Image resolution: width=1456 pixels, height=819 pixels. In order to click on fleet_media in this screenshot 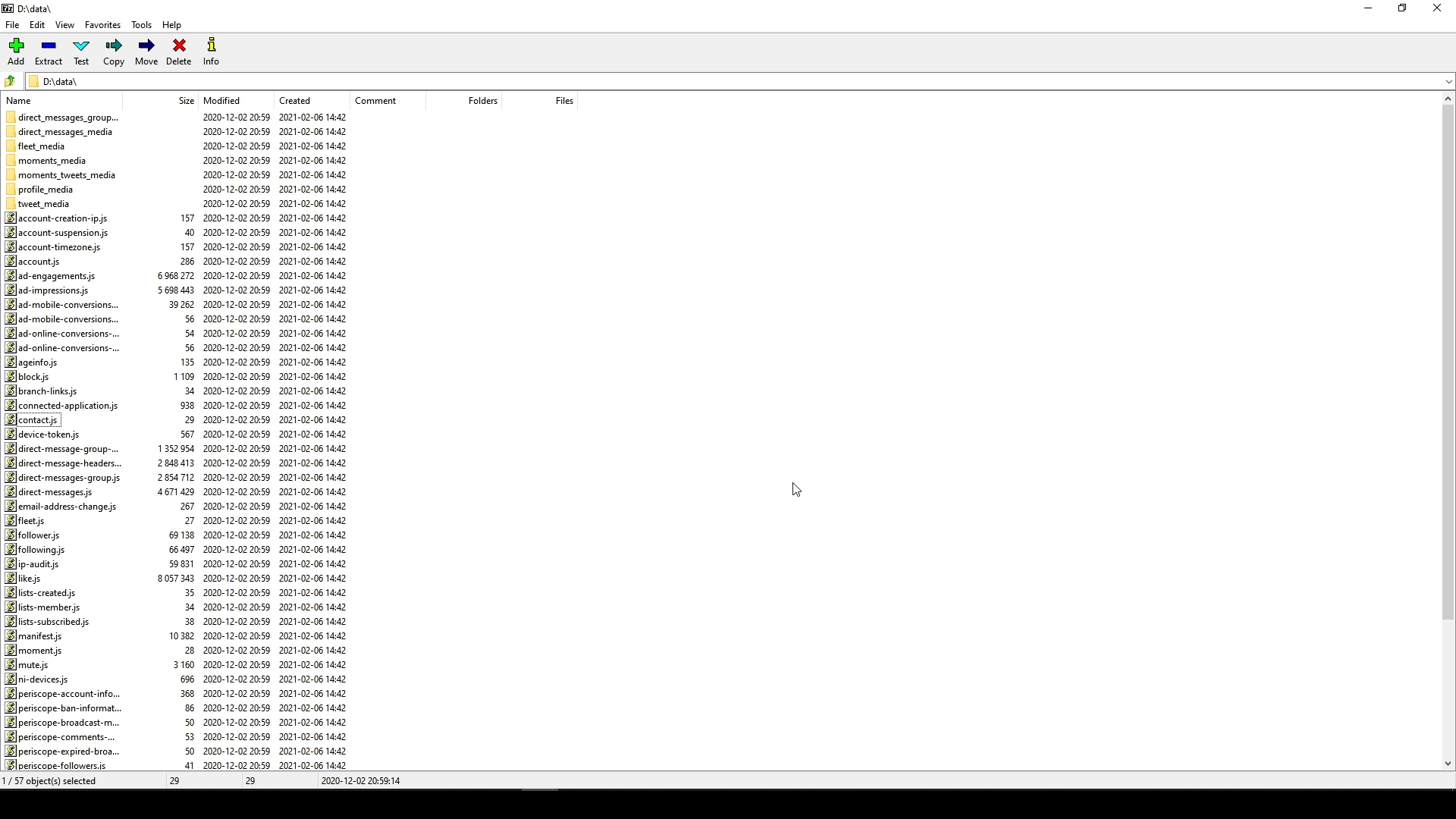, I will do `click(39, 145)`.